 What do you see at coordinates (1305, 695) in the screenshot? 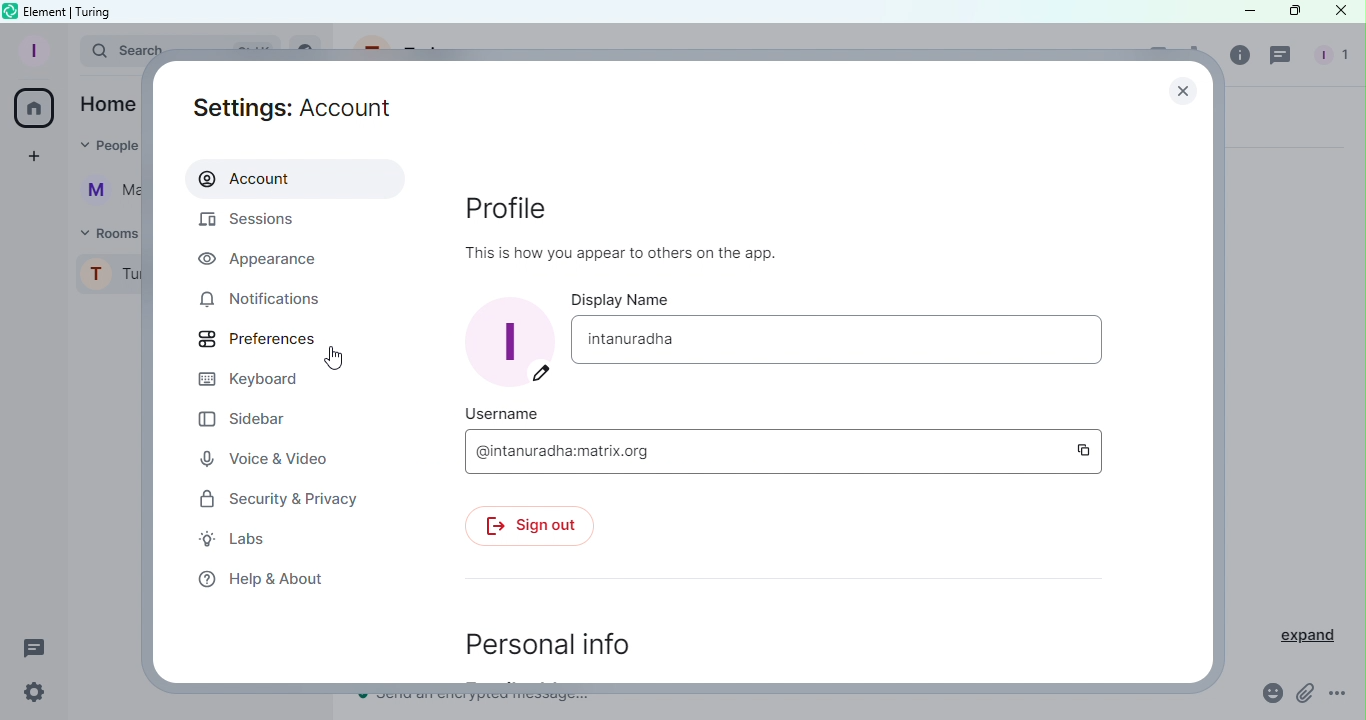
I see `Attachment` at bounding box center [1305, 695].